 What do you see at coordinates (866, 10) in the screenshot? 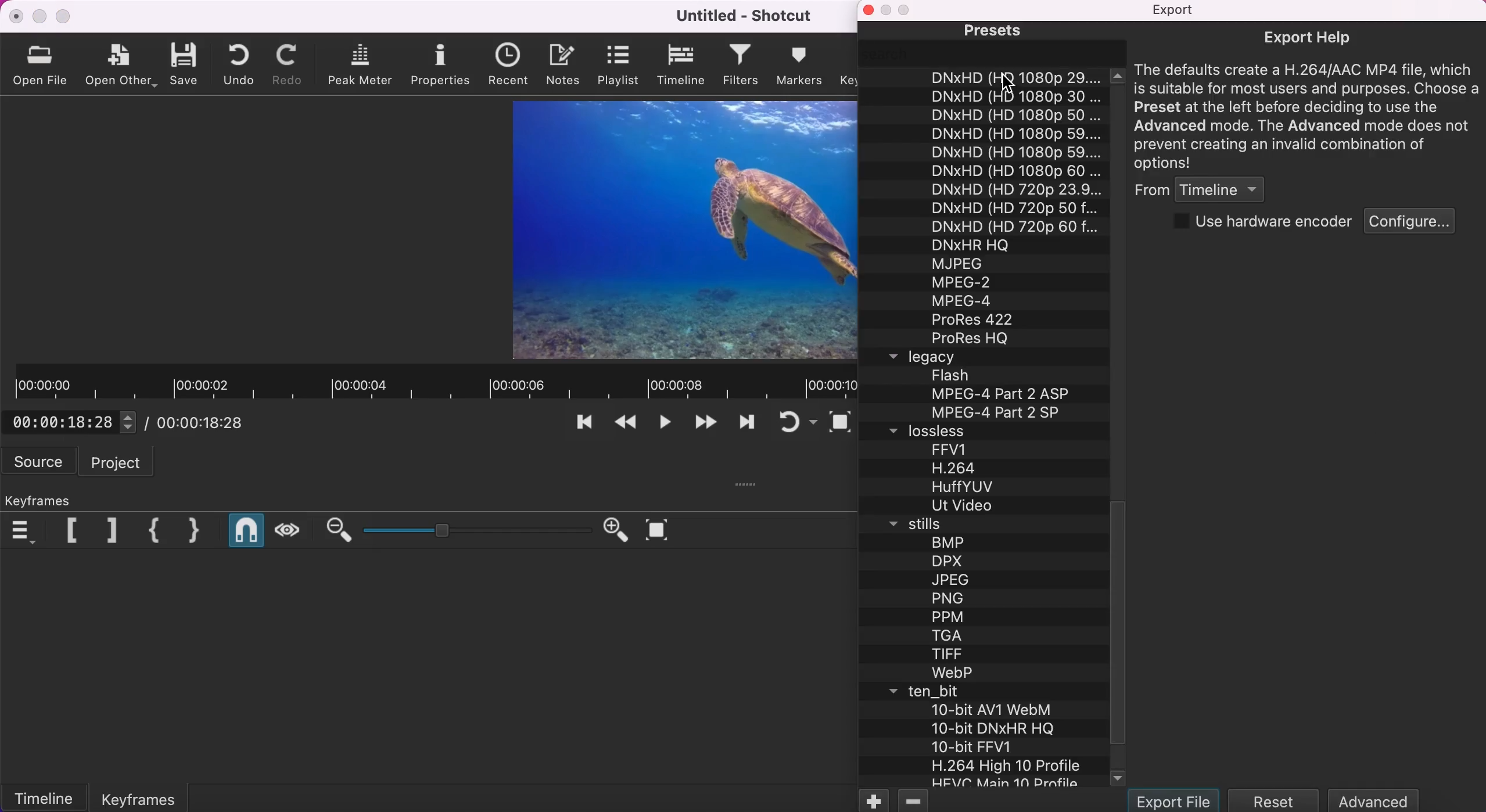
I see `close sidebar` at bounding box center [866, 10].